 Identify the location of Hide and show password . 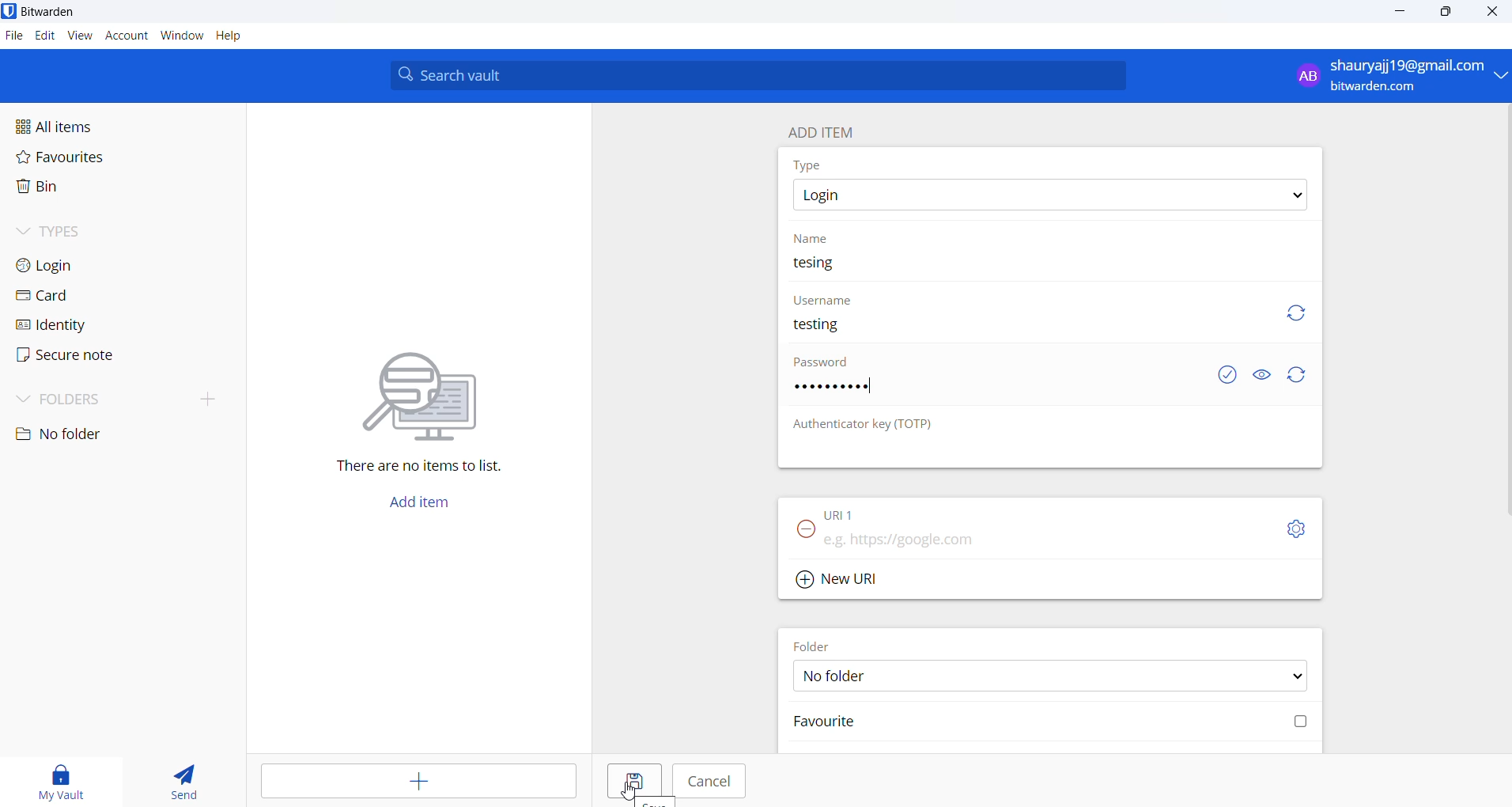
(1261, 375).